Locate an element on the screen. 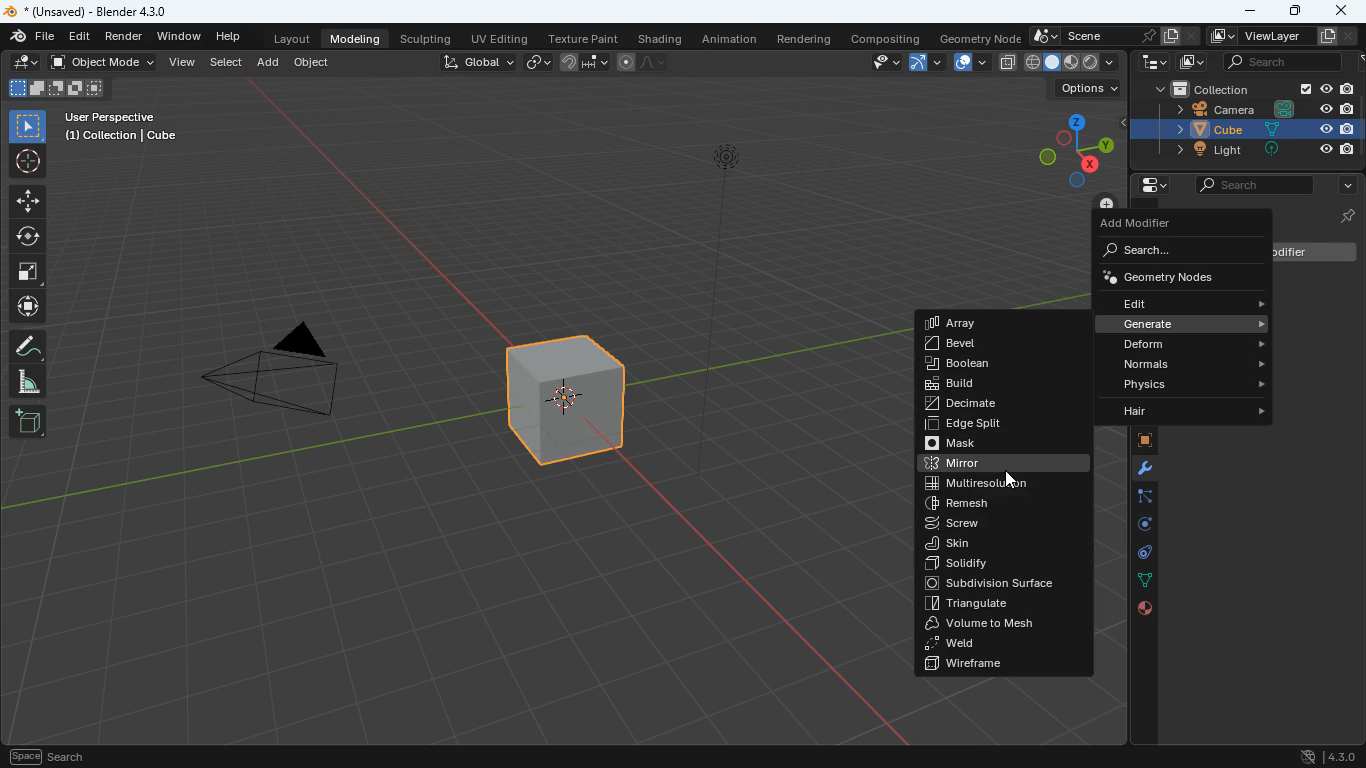 Image resolution: width=1366 pixels, height=768 pixels. light is located at coordinates (722, 312).